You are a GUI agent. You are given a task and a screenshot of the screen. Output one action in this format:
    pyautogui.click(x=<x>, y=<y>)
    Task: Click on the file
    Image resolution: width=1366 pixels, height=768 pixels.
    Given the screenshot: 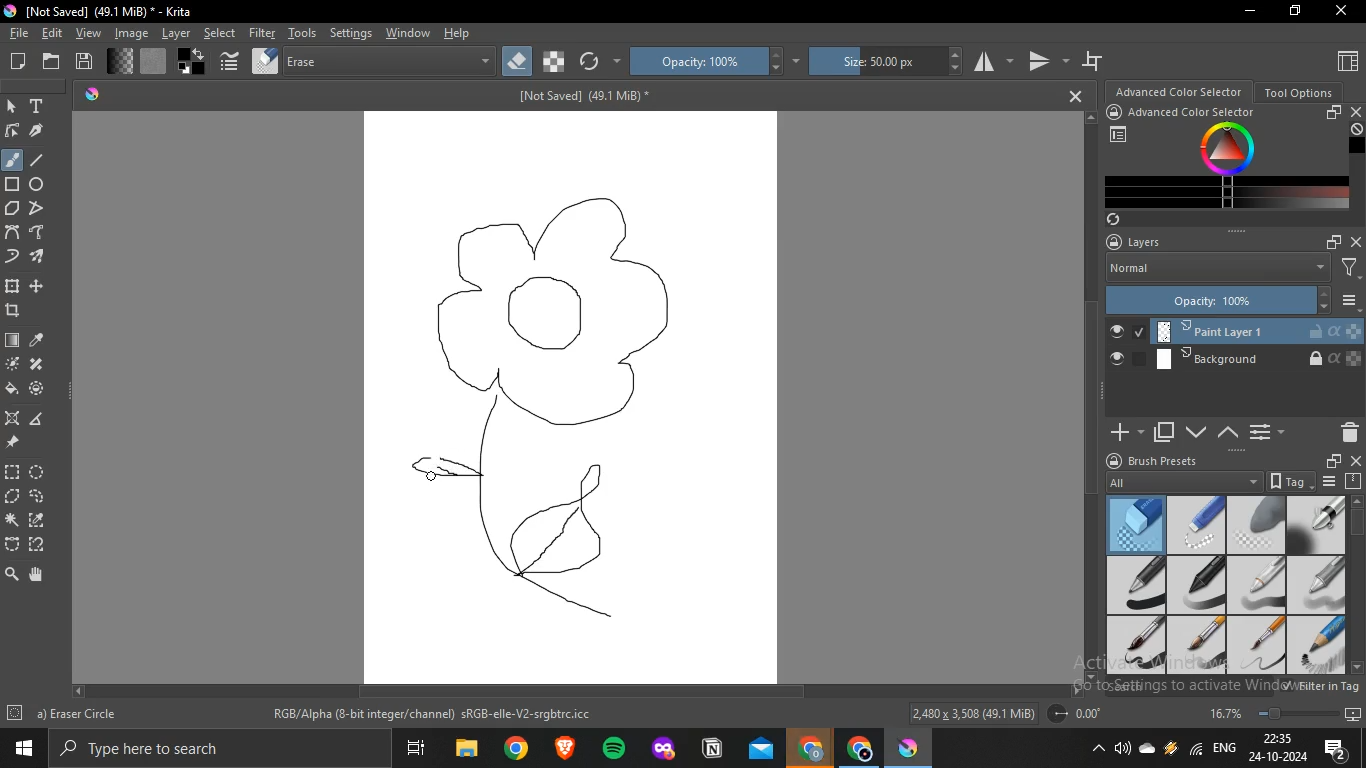 What is the action you would take?
    pyautogui.click(x=20, y=34)
    